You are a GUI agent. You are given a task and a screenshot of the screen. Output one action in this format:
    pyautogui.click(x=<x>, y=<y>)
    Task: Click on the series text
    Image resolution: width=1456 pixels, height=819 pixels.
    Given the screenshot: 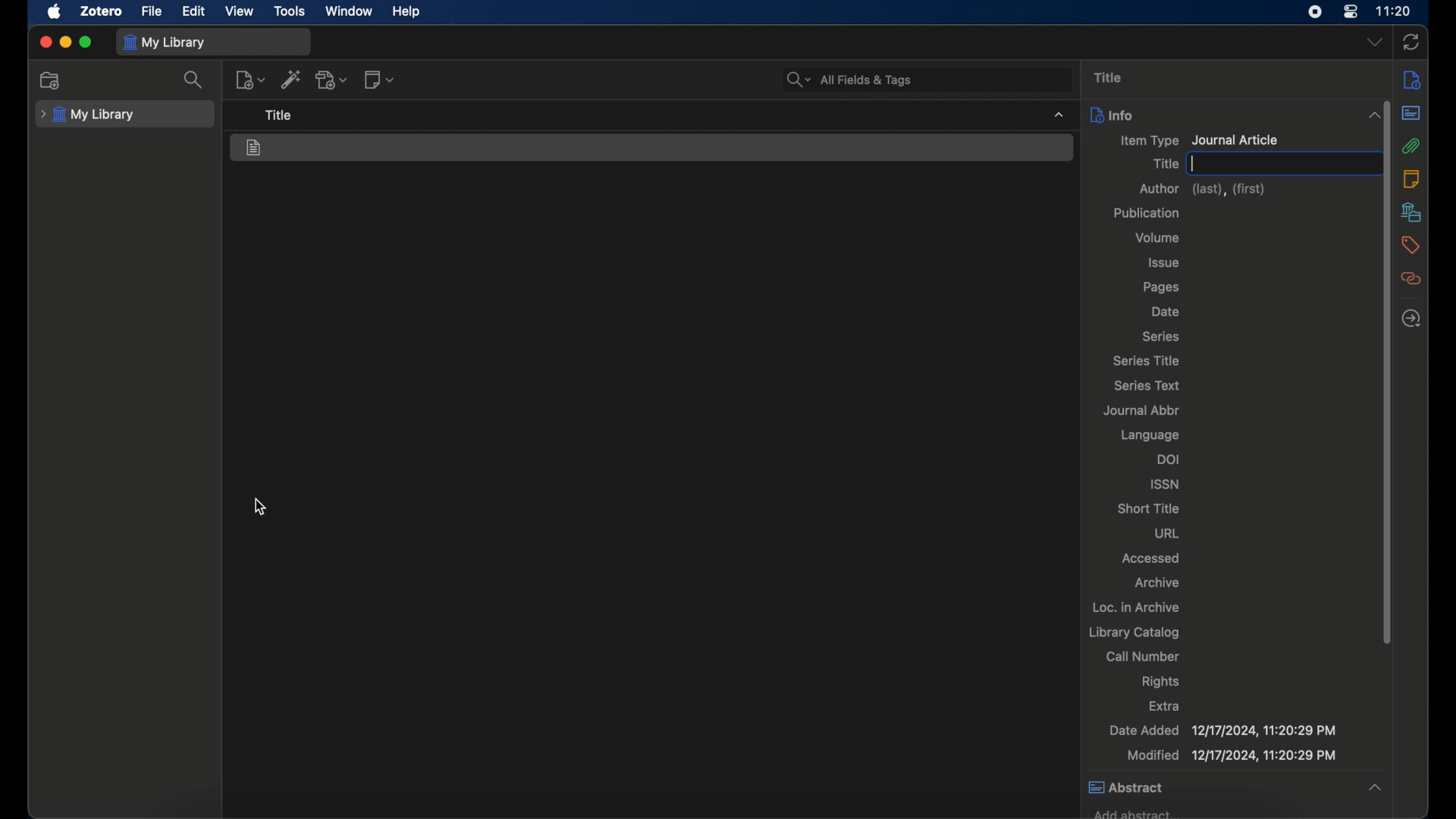 What is the action you would take?
    pyautogui.click(x=1147, y=386)
    